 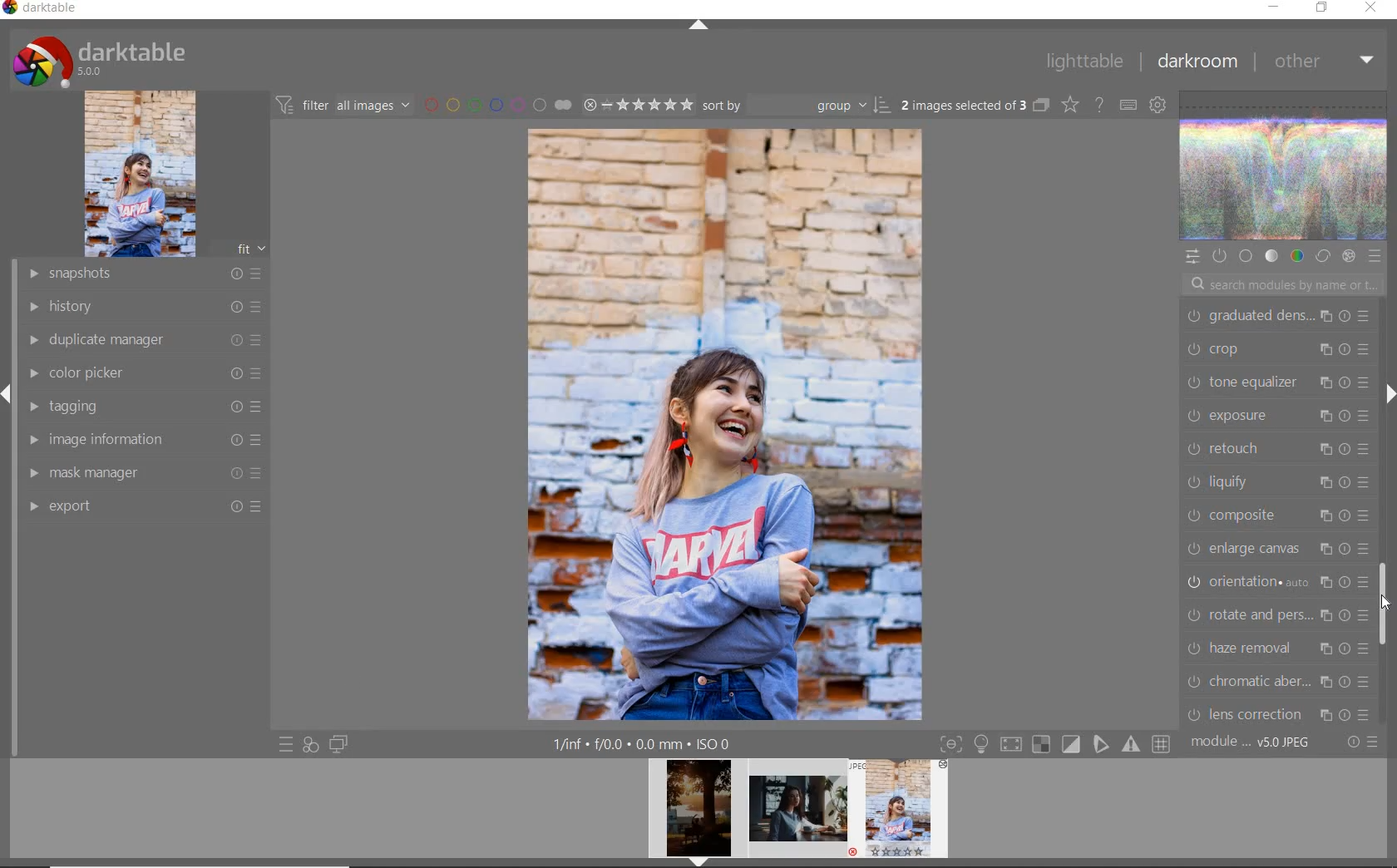 I want to click on color picker, so click(x=143, y=373).